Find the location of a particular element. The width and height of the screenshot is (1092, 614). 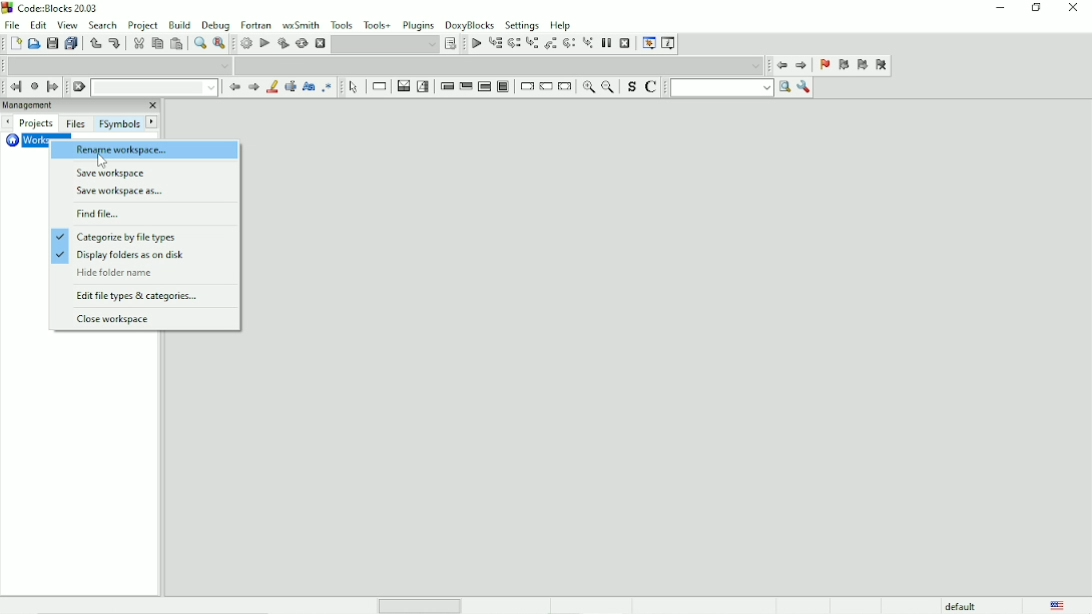

Show options window is located at coordinates (803, 87).